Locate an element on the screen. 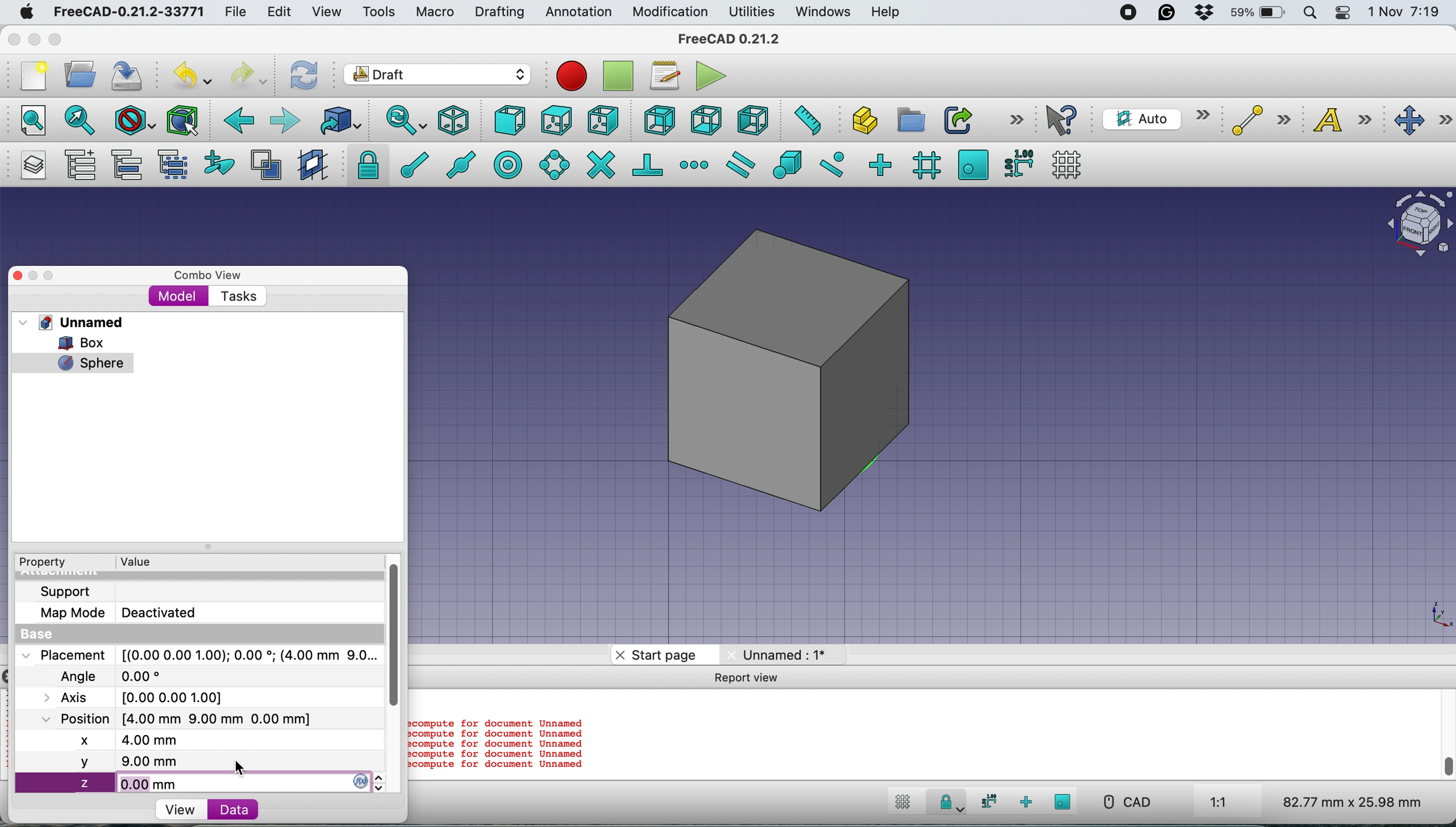  go to linked object is located at coordinates (340, 120).